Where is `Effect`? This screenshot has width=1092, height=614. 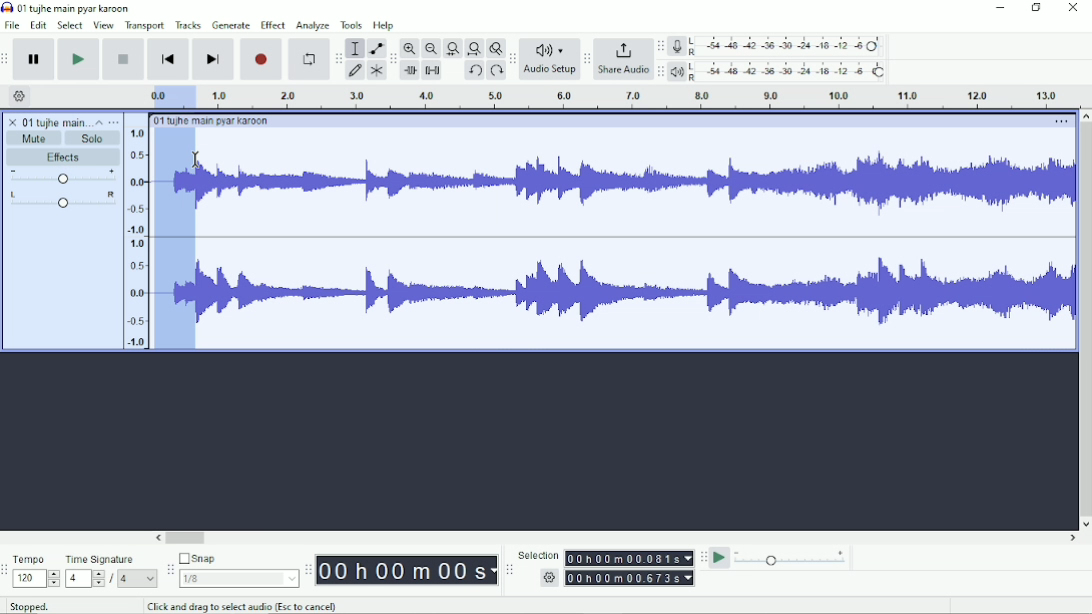 Effect is located at coordinates (272, 24).